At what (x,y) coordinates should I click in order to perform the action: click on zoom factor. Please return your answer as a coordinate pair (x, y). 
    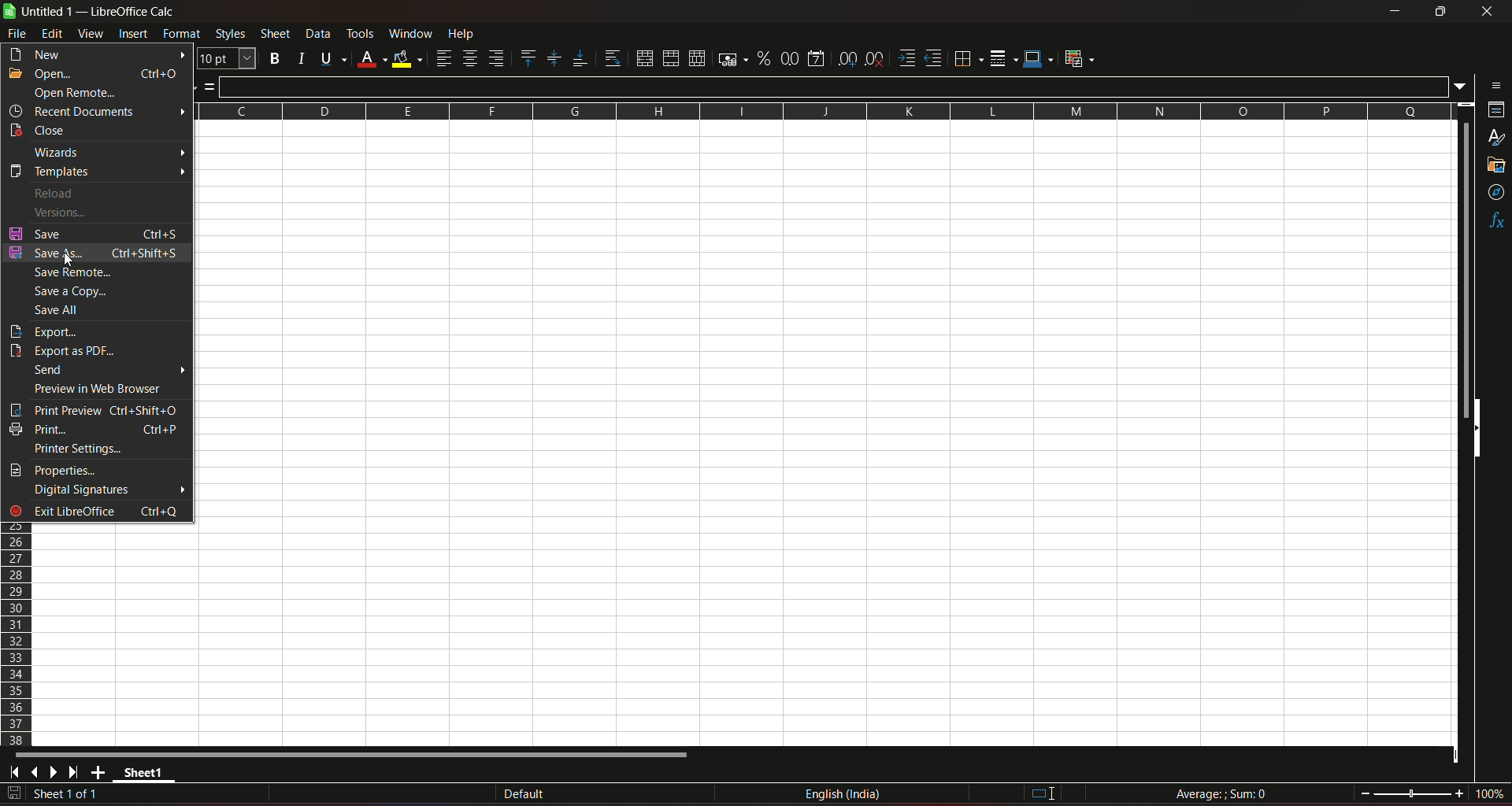
    Looking at the image, I should click on (1488, 794).